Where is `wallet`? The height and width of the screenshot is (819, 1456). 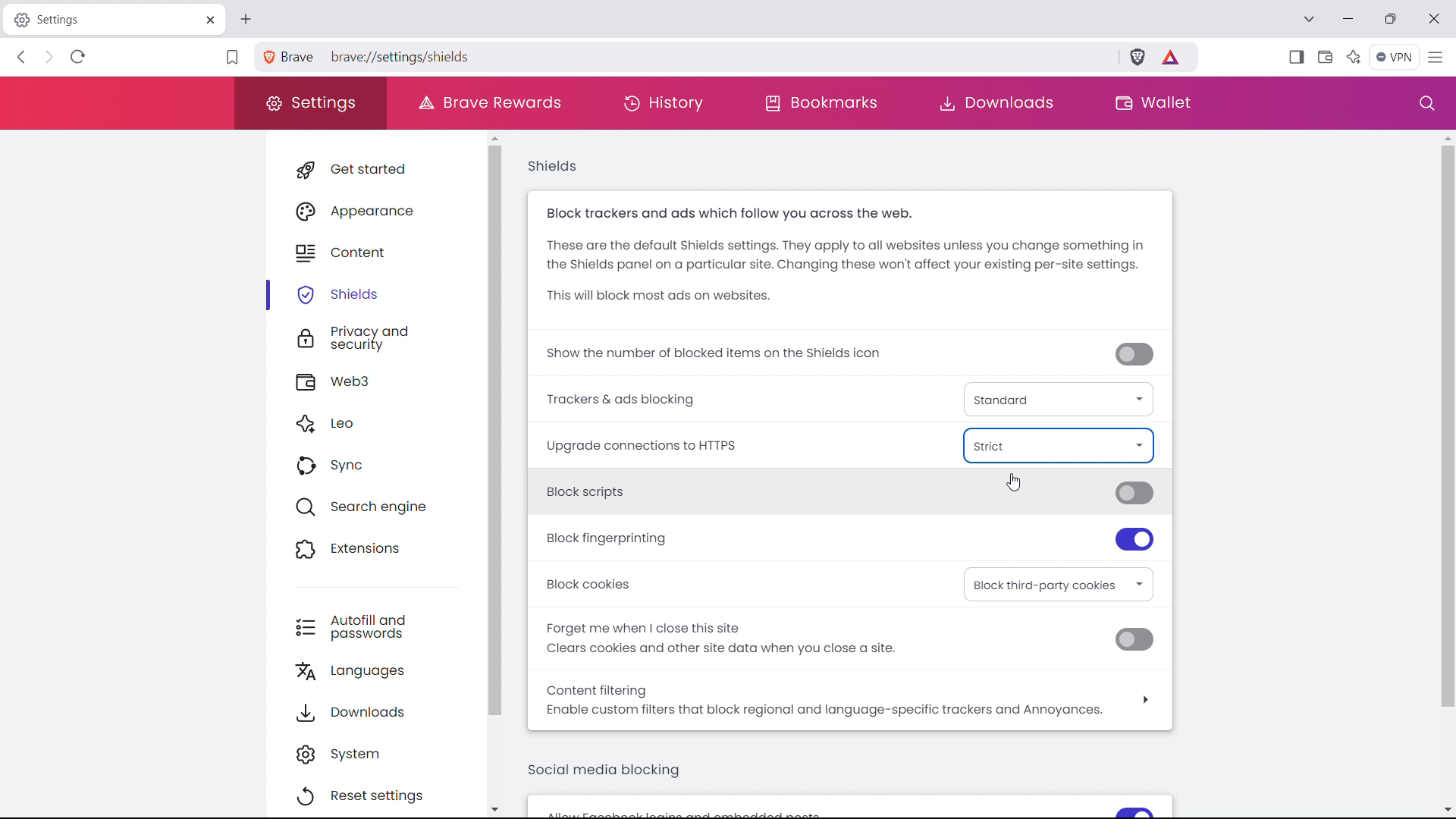
wallet is located at coordinates (1150, 102).